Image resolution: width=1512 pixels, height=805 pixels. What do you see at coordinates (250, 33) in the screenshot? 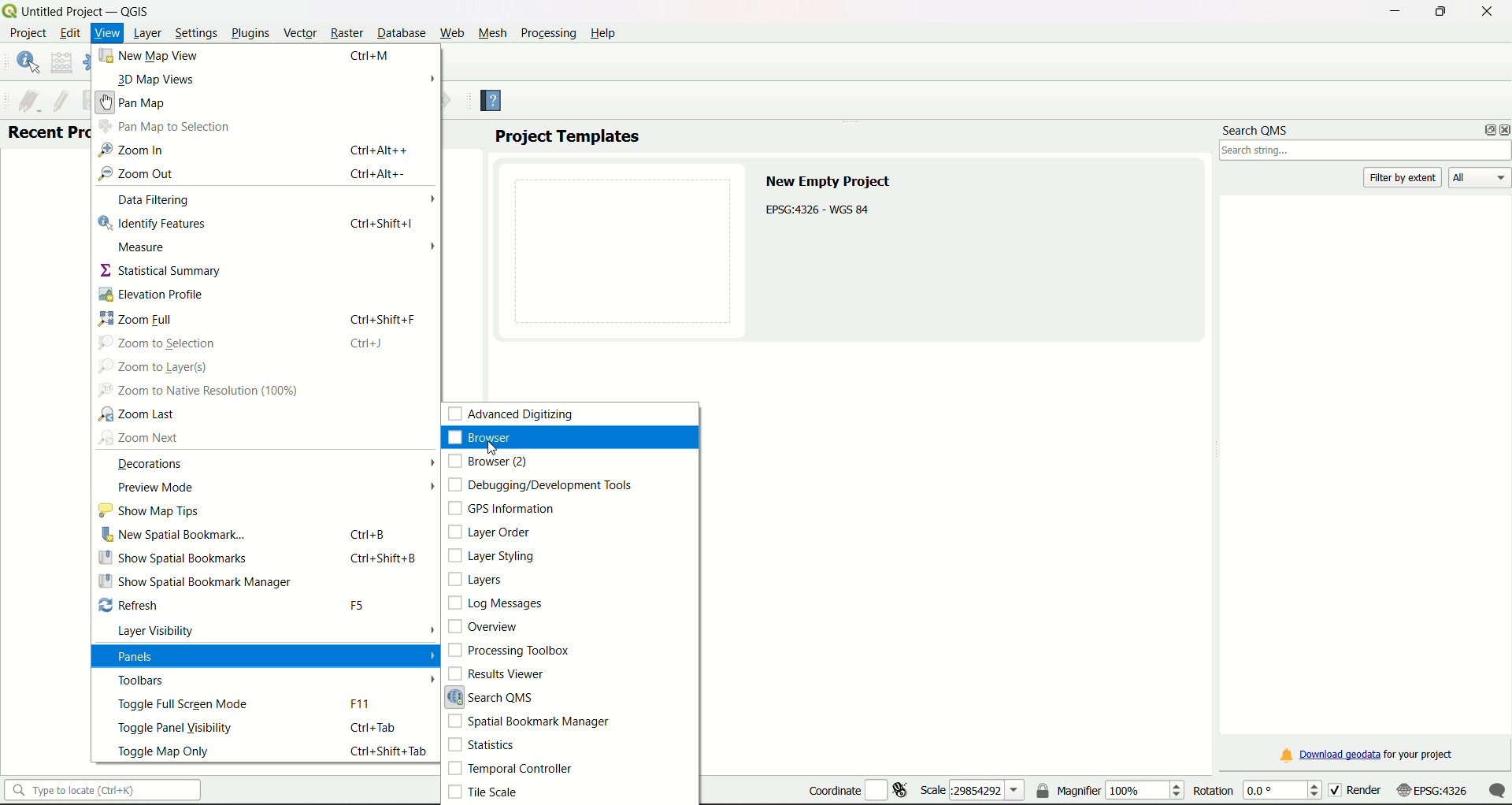
I see `Plugins` at bounding box center [250, 33].